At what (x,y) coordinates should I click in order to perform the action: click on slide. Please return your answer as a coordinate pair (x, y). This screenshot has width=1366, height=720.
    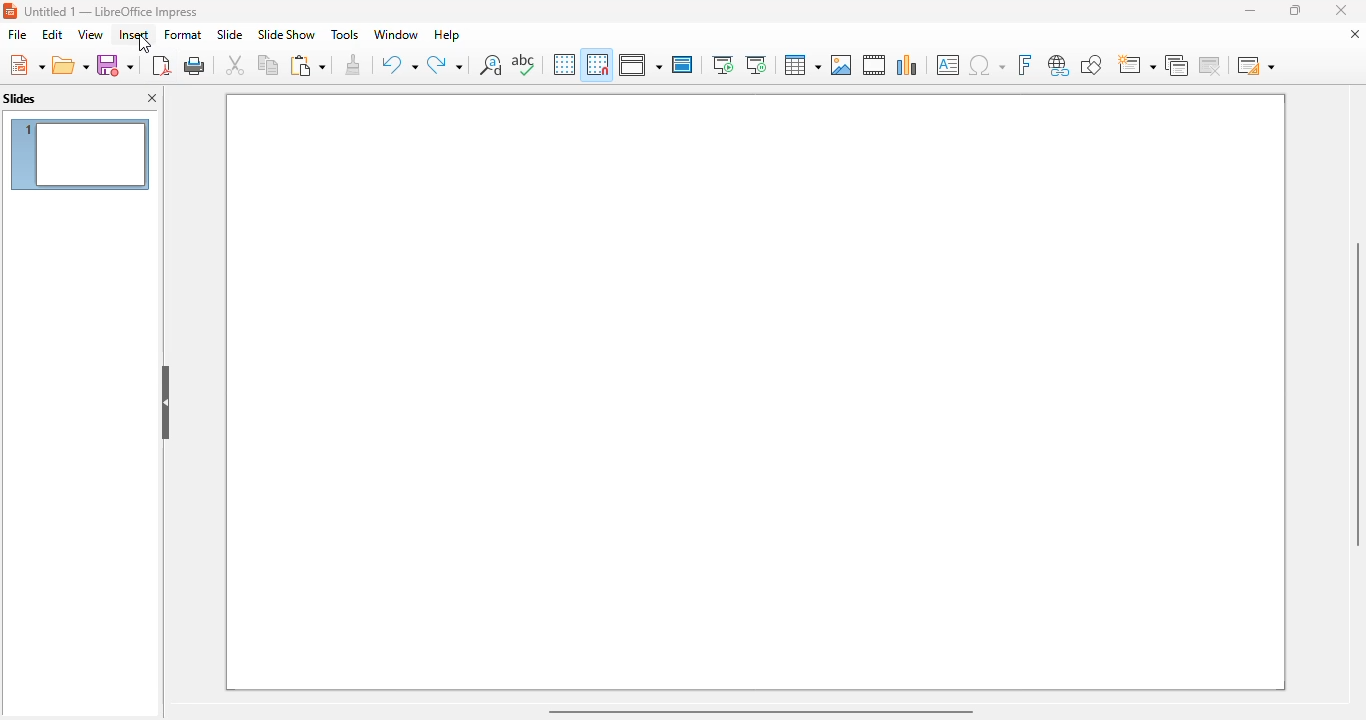
    Looking at the image, I should click on (229, 34).